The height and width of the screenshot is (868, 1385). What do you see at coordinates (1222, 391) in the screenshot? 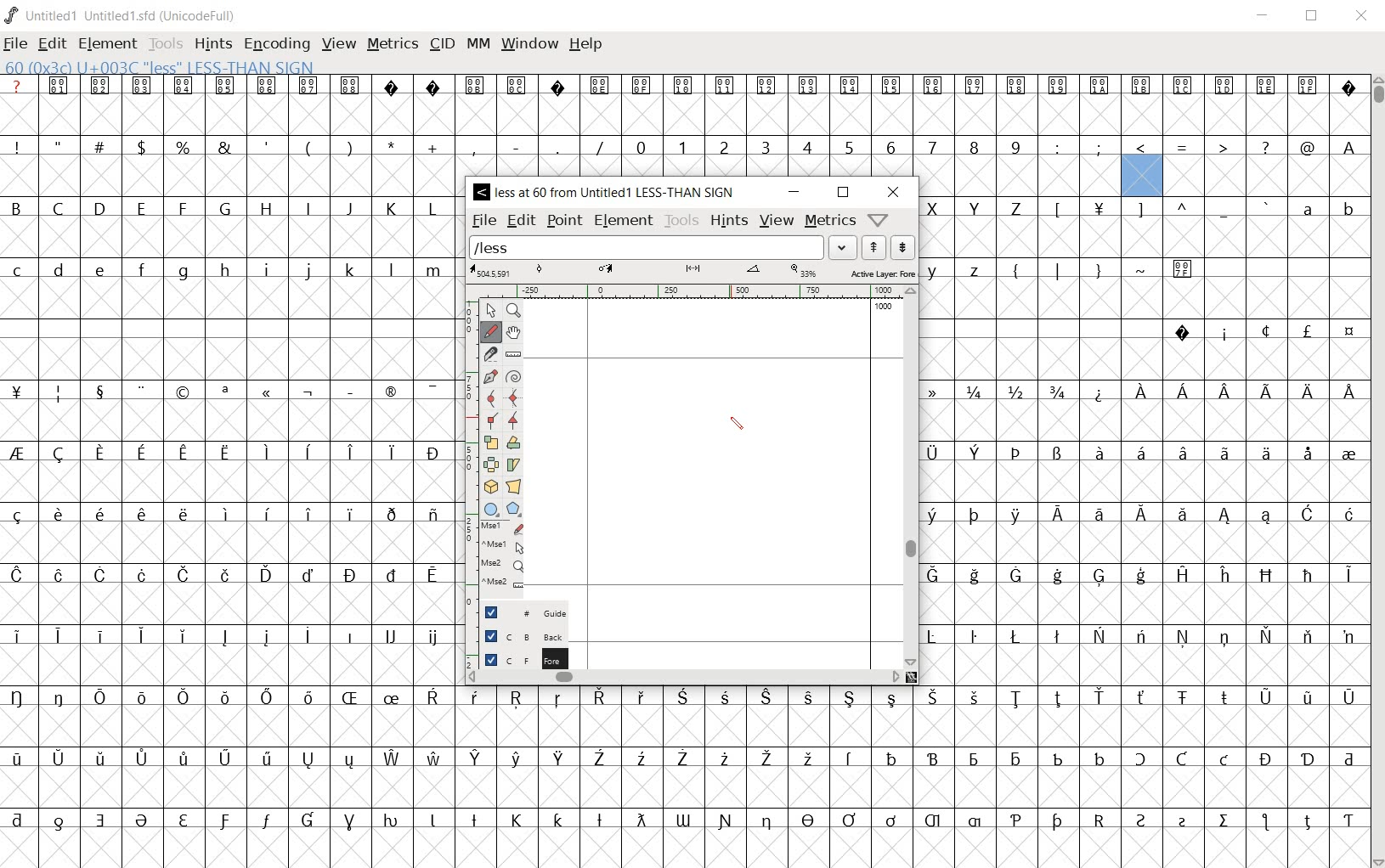
I see `special letters` at bounding box center [1222, 391].